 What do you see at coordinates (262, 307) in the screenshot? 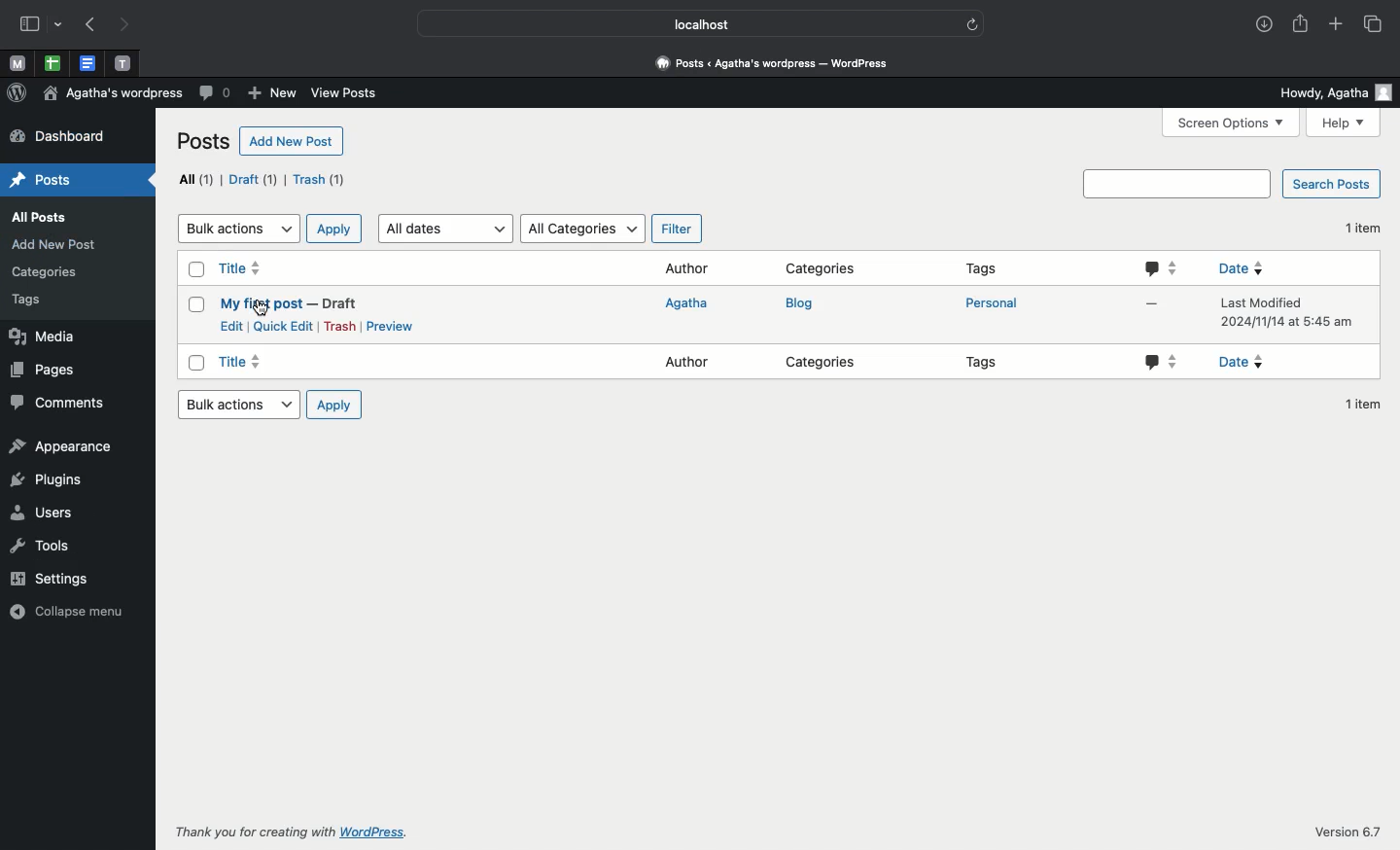
I see `cursor` at bounding box center [262, 307].